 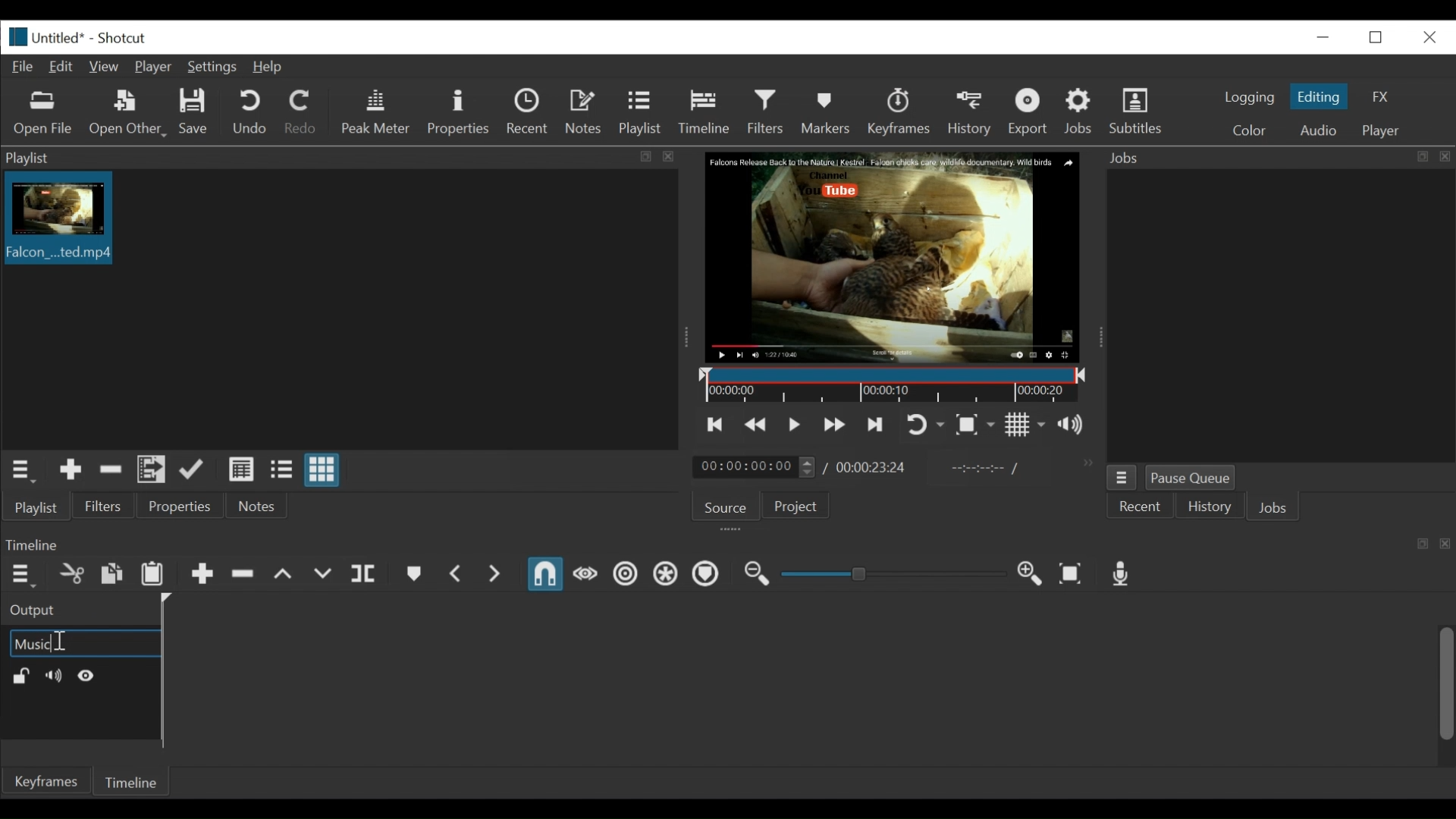 What do you see at coordinates (179, 507) in the screenshot?
I see `Properties` at bounding box center [179, 507].